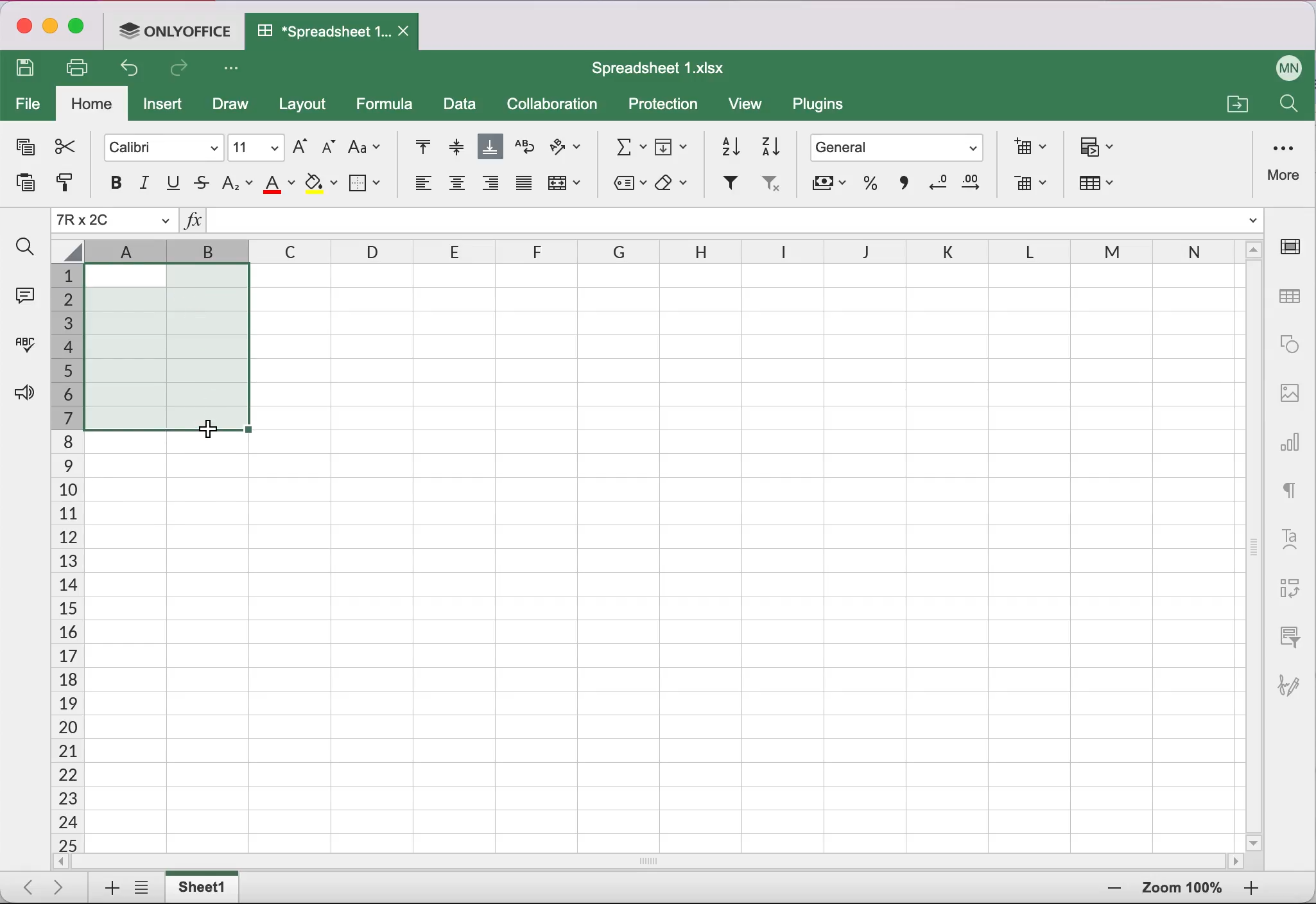  I want to click on slicer, so click(1287, 636).